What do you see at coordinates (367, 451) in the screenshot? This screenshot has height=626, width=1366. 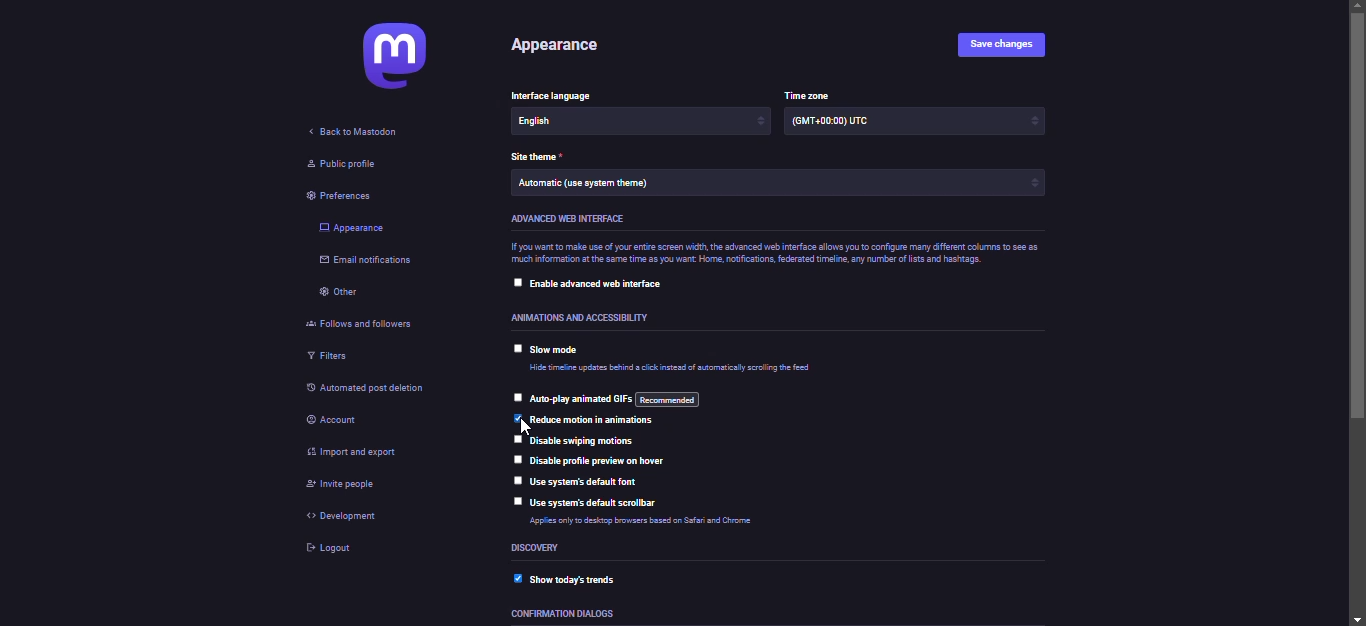 I see `import & export` at bounding box center [367, 451].